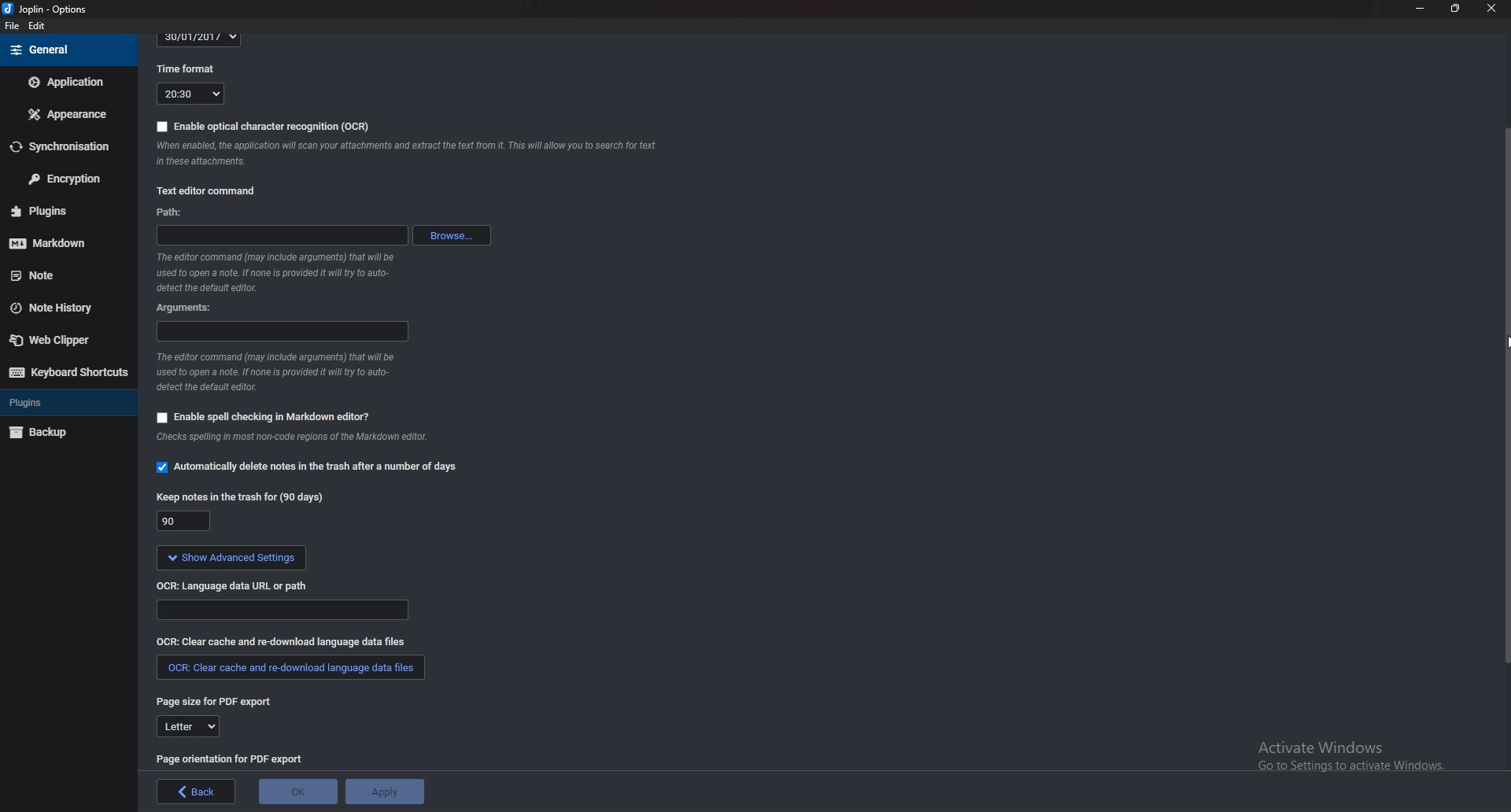  What do you see at coordinates (61, 433) in the screenshot?
I see `Backup` at bounding box center [61, 433].